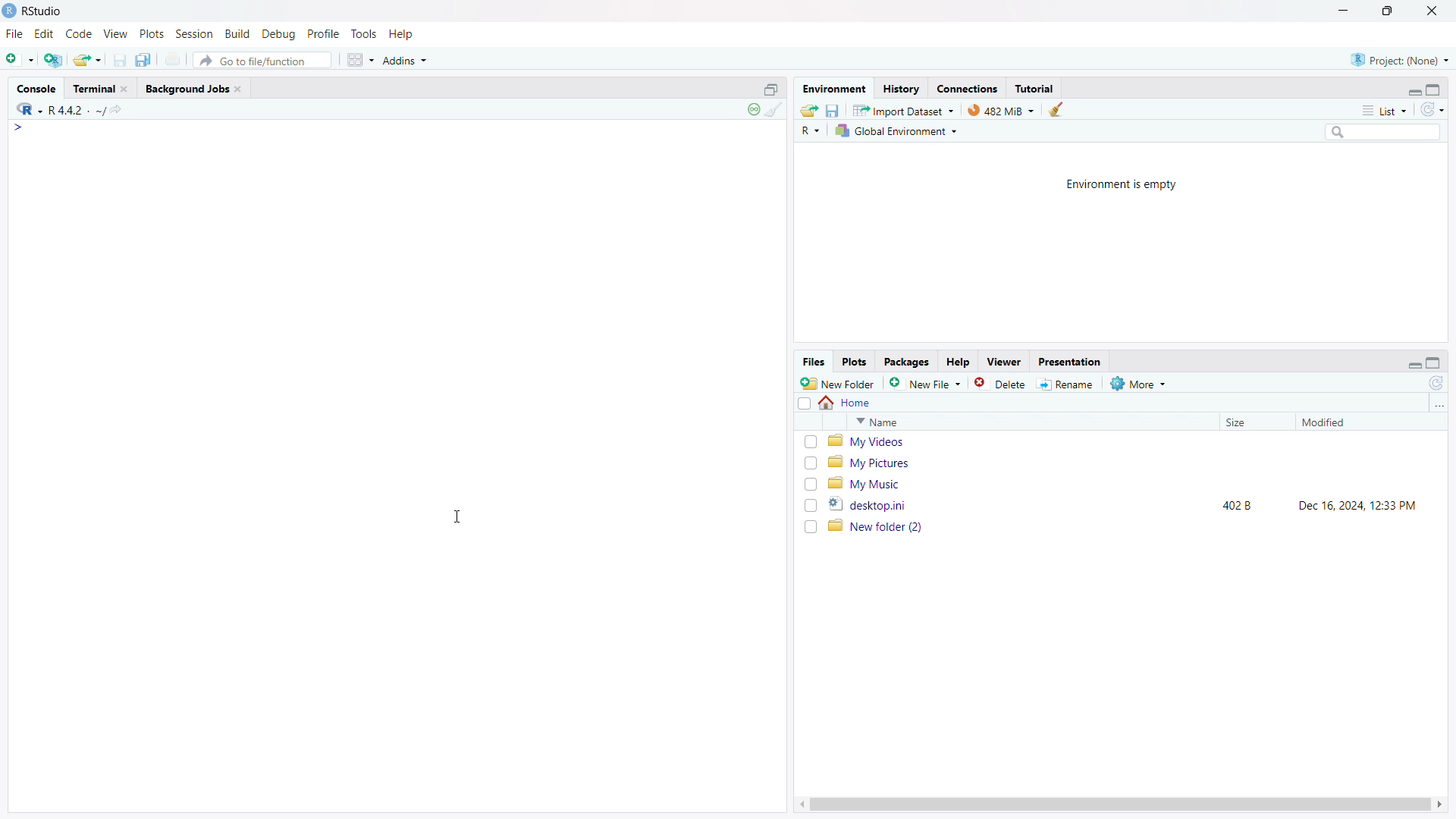 The image size is (1456, 819). I want to click on environemnet, so click(833, 86).